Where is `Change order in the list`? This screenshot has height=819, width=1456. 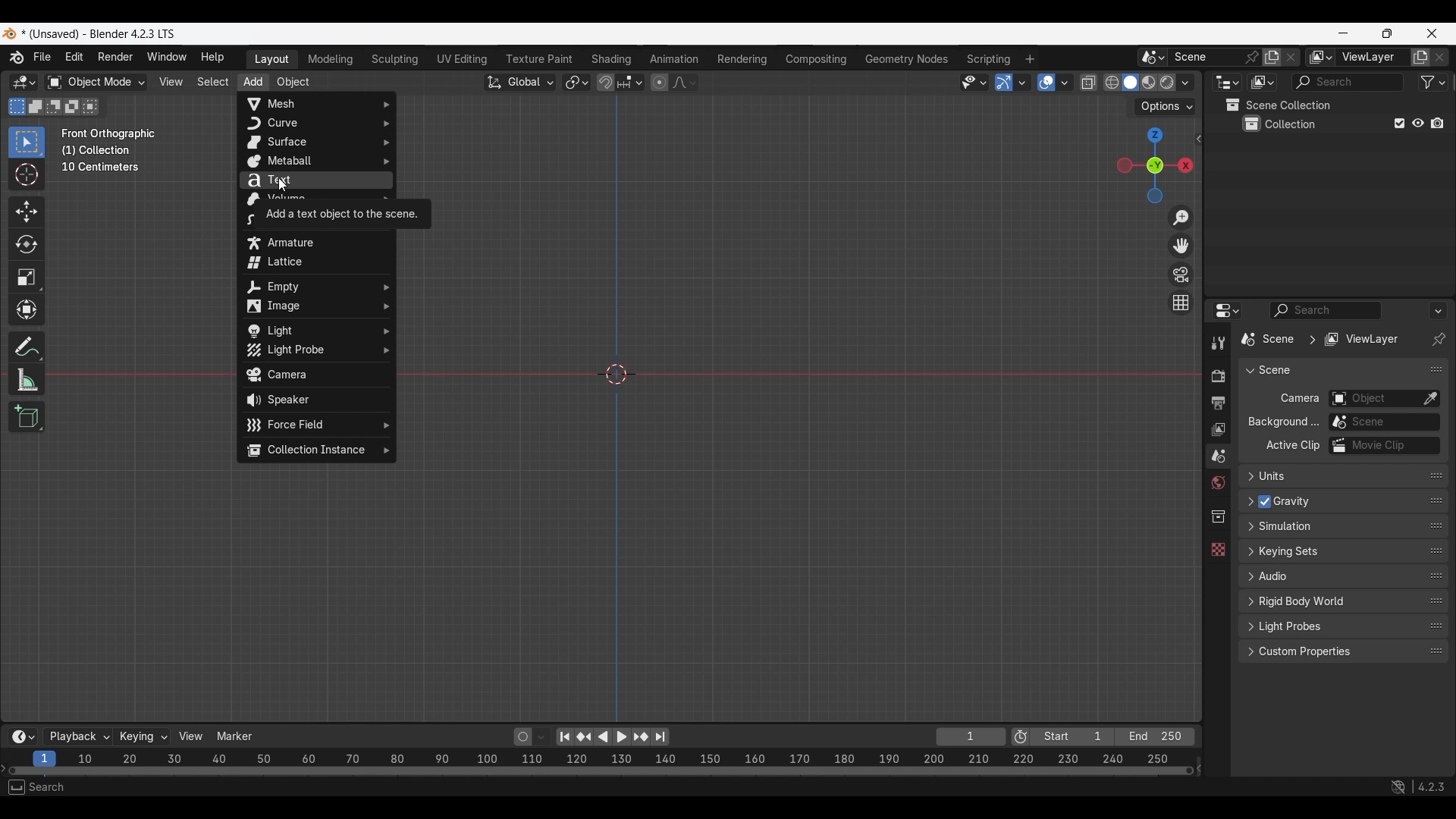 Change order in the list is located at coordinates (1436, 526).